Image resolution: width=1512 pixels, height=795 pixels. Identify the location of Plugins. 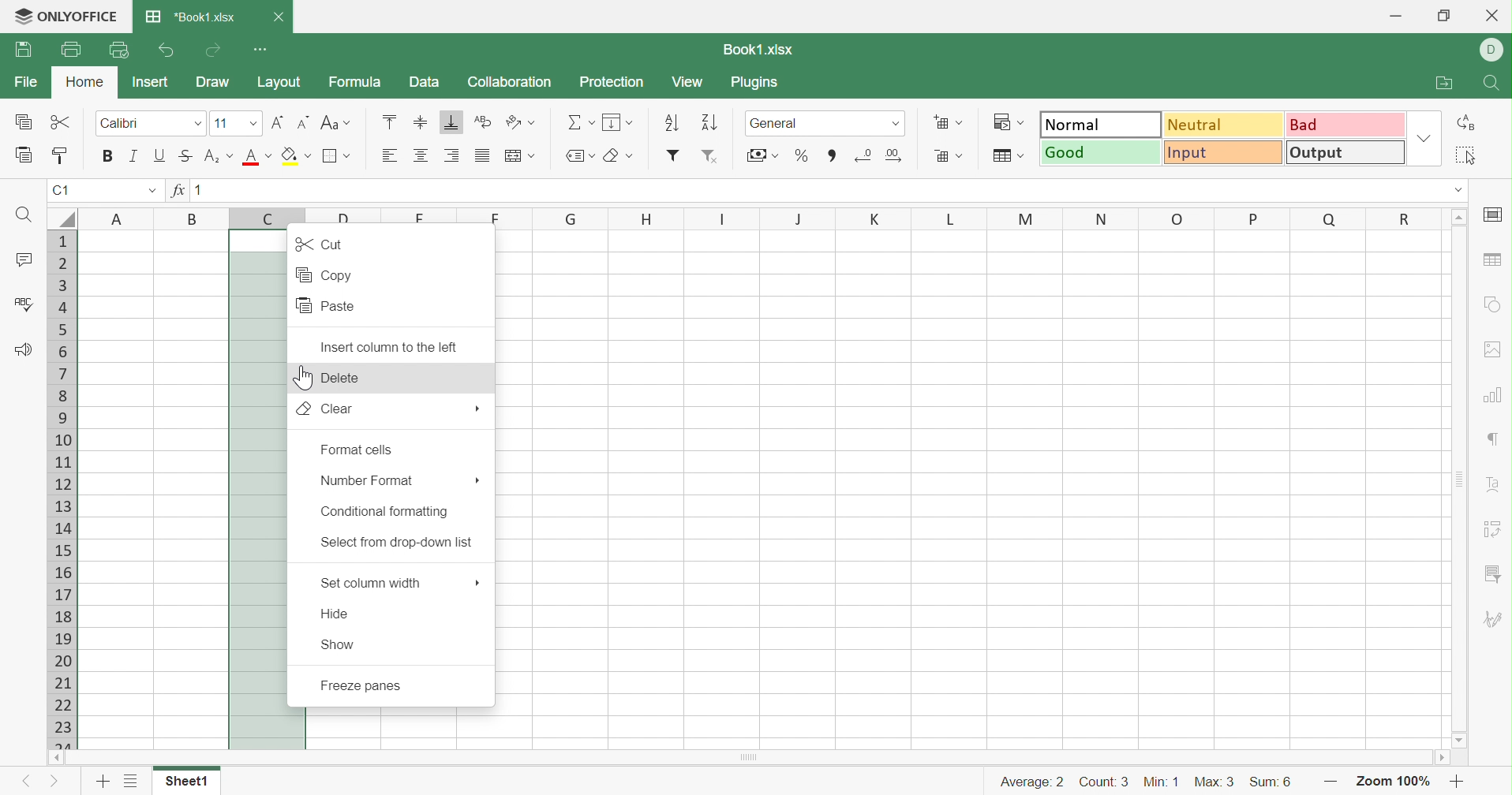
(757, 82).